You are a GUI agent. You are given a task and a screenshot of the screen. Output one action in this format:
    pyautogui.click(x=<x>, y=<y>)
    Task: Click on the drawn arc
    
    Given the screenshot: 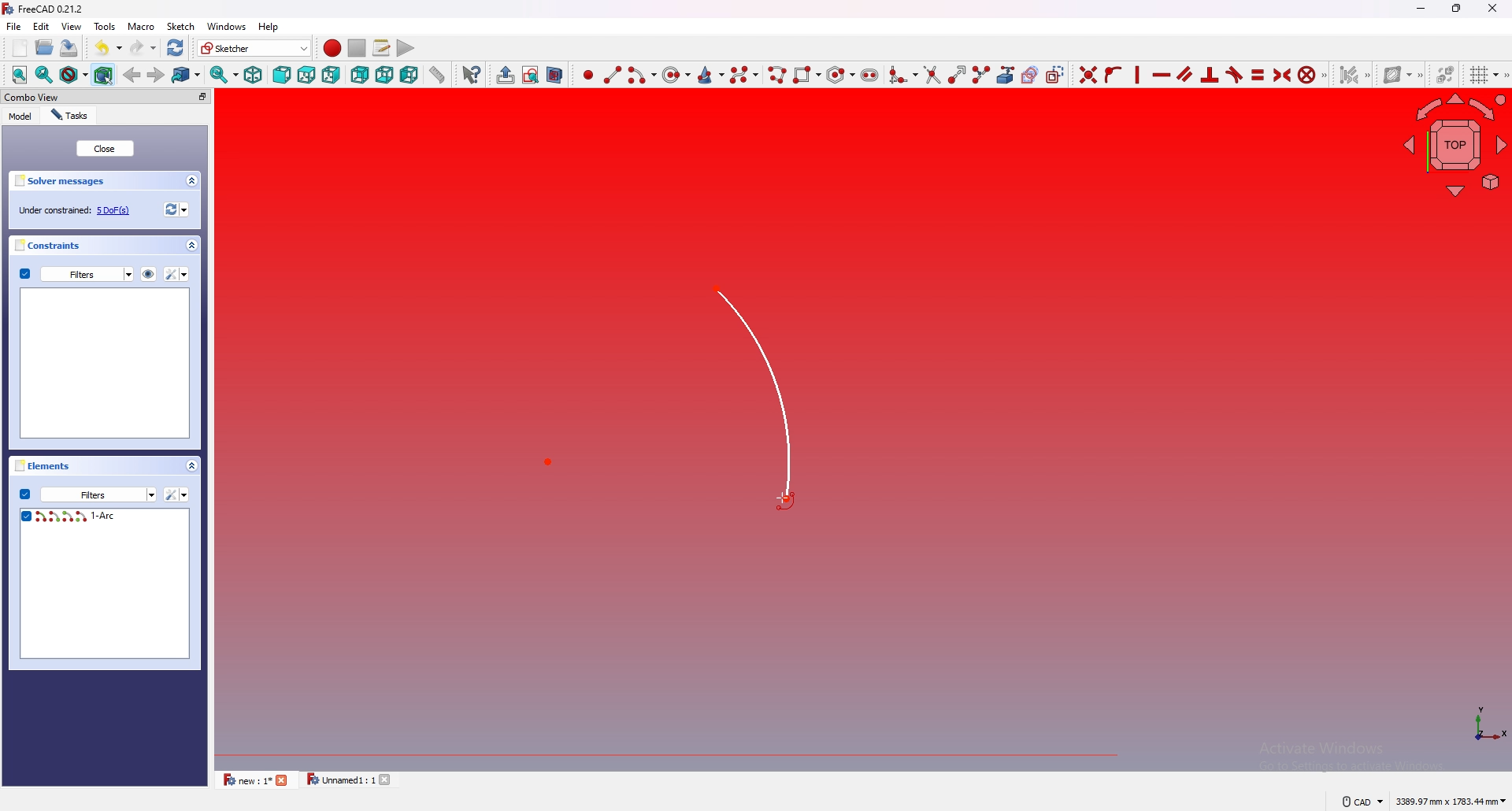 What is the action you would take?
    pyautogui.click(x=101, y=517)
    